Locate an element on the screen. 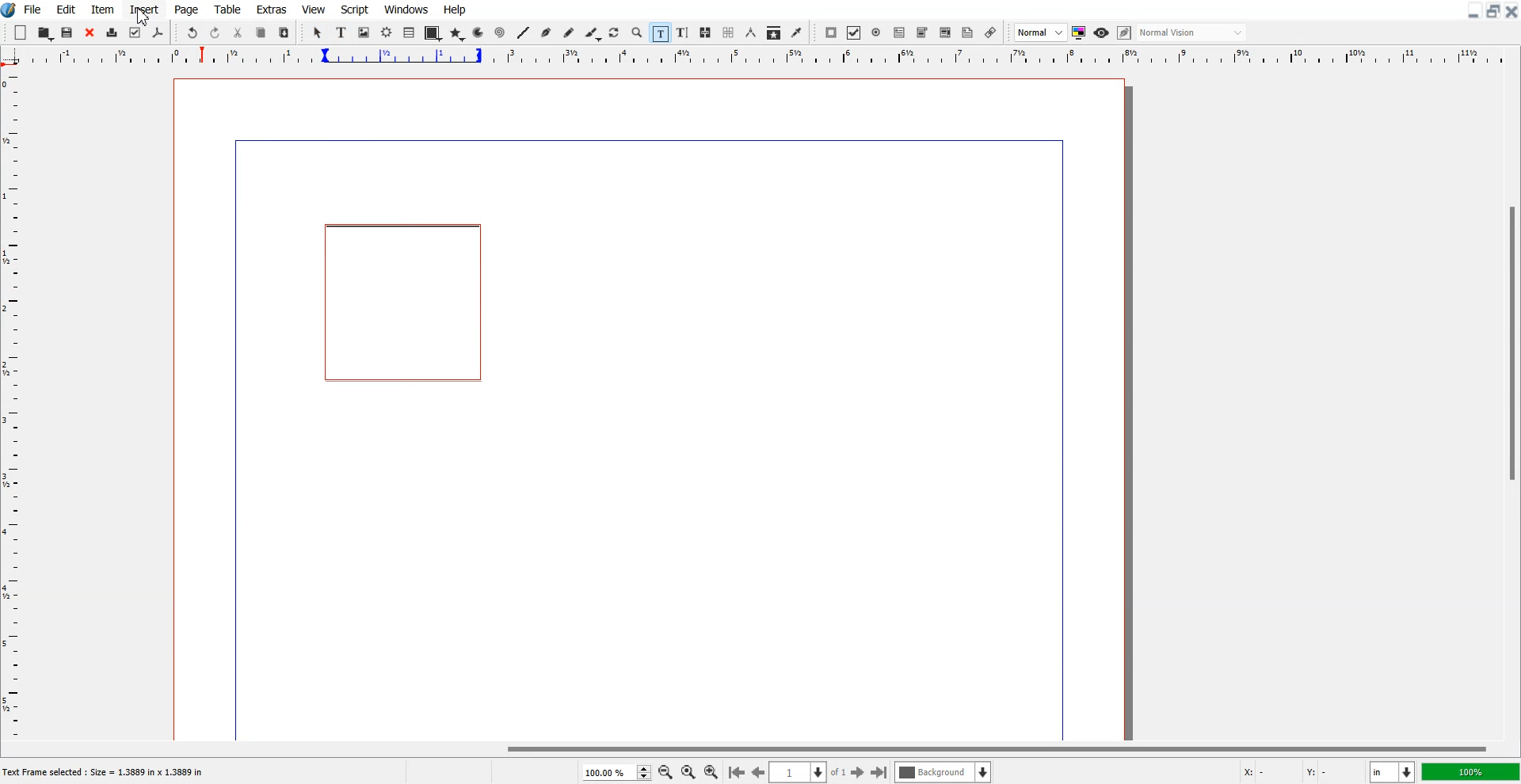  Insert is located at coordinates (143, 10).